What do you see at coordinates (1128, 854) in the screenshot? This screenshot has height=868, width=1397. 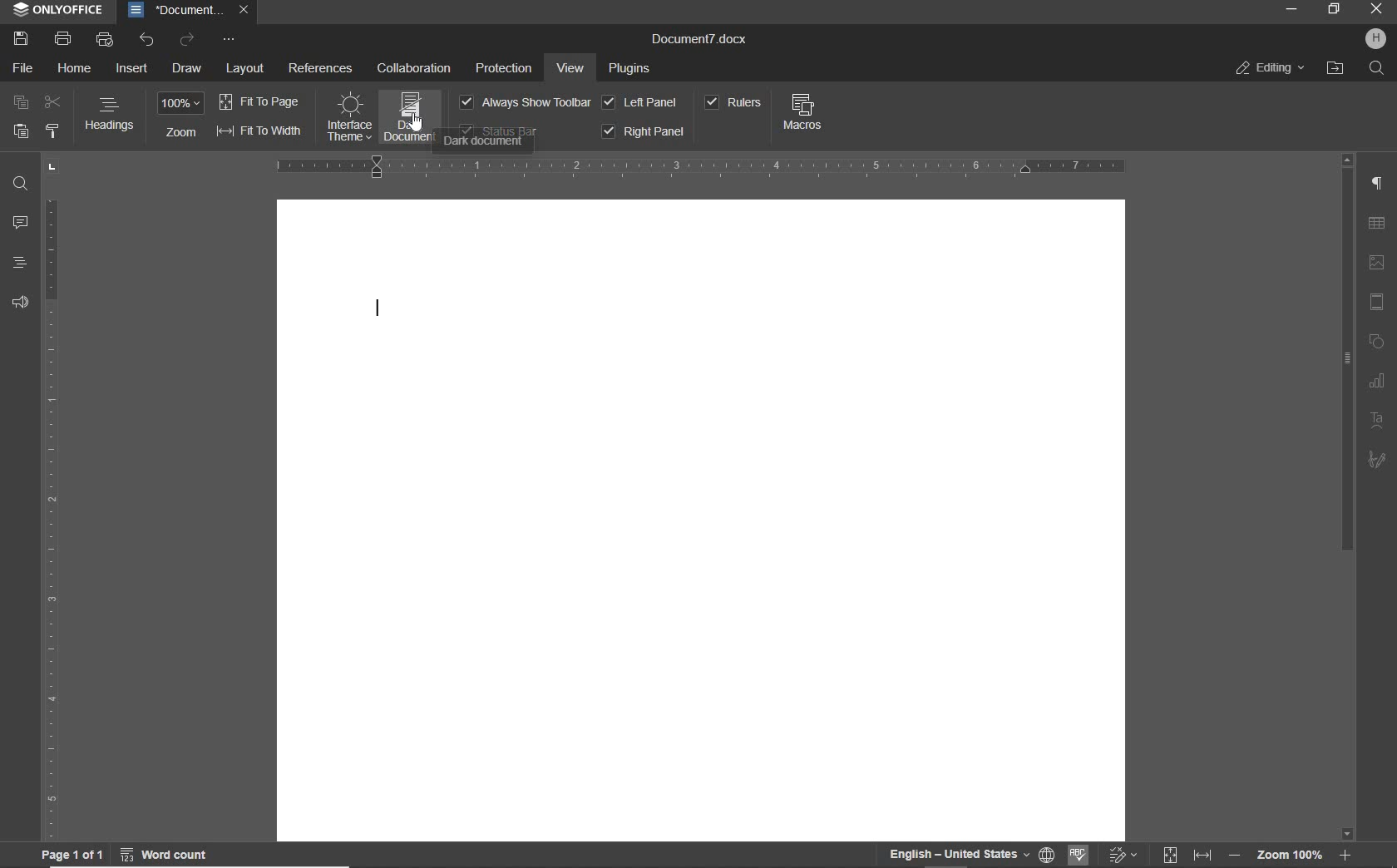 I see `TRACK CHANGES` at bounding box center [1128, 854].